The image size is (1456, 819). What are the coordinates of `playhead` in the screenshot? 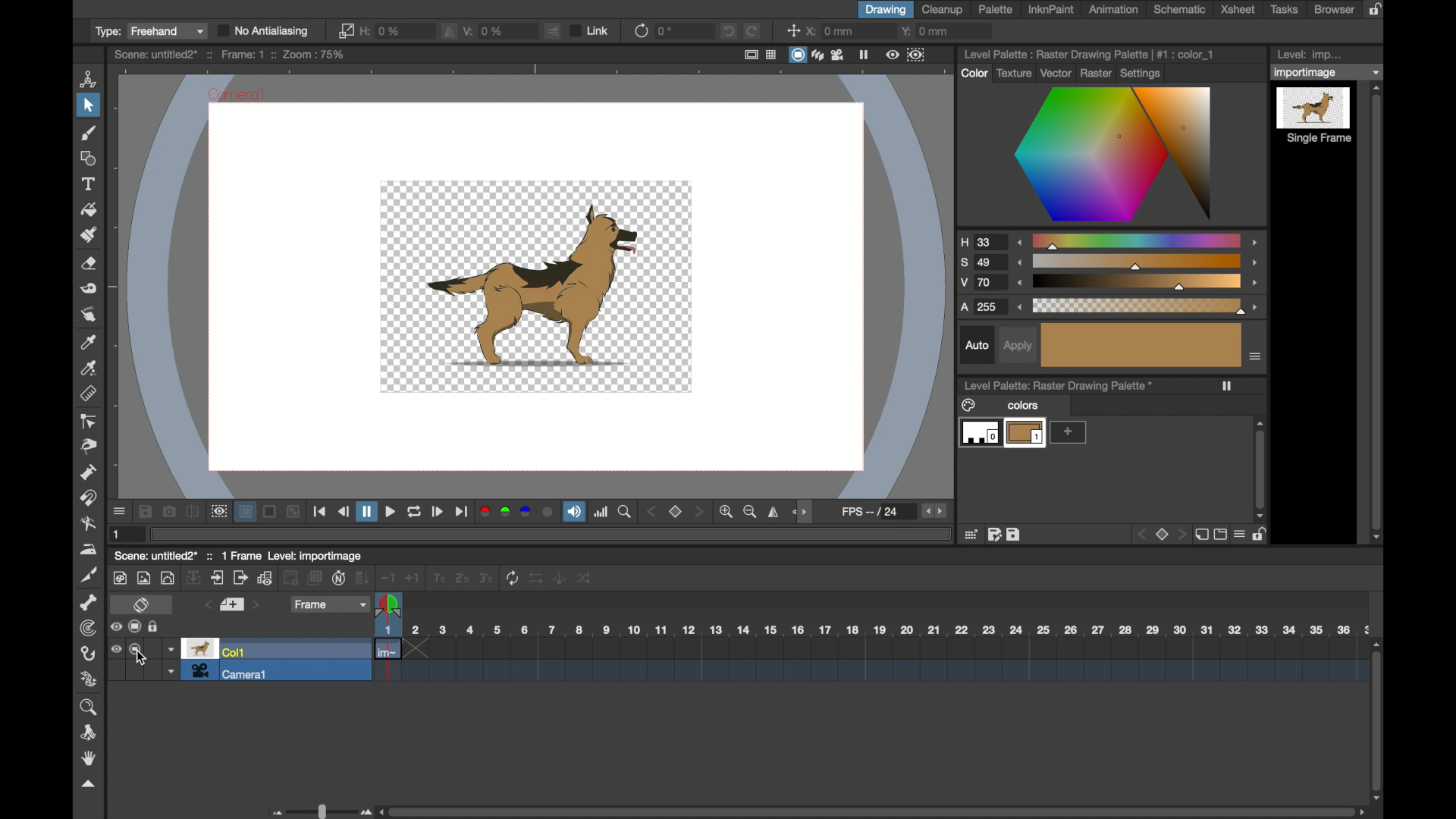 It's located at (388, 606).